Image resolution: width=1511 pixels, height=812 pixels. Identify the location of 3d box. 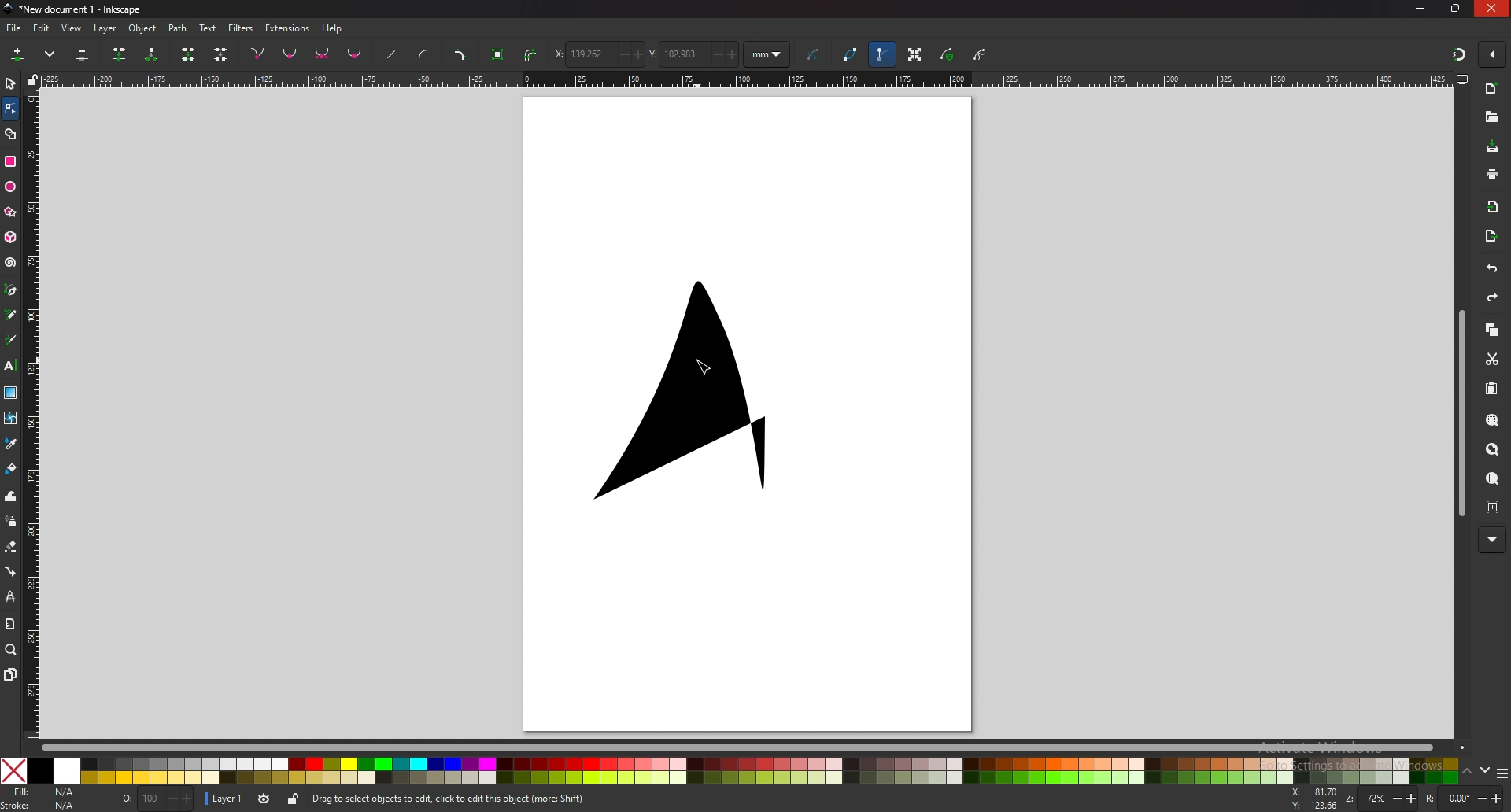
(12, 238).